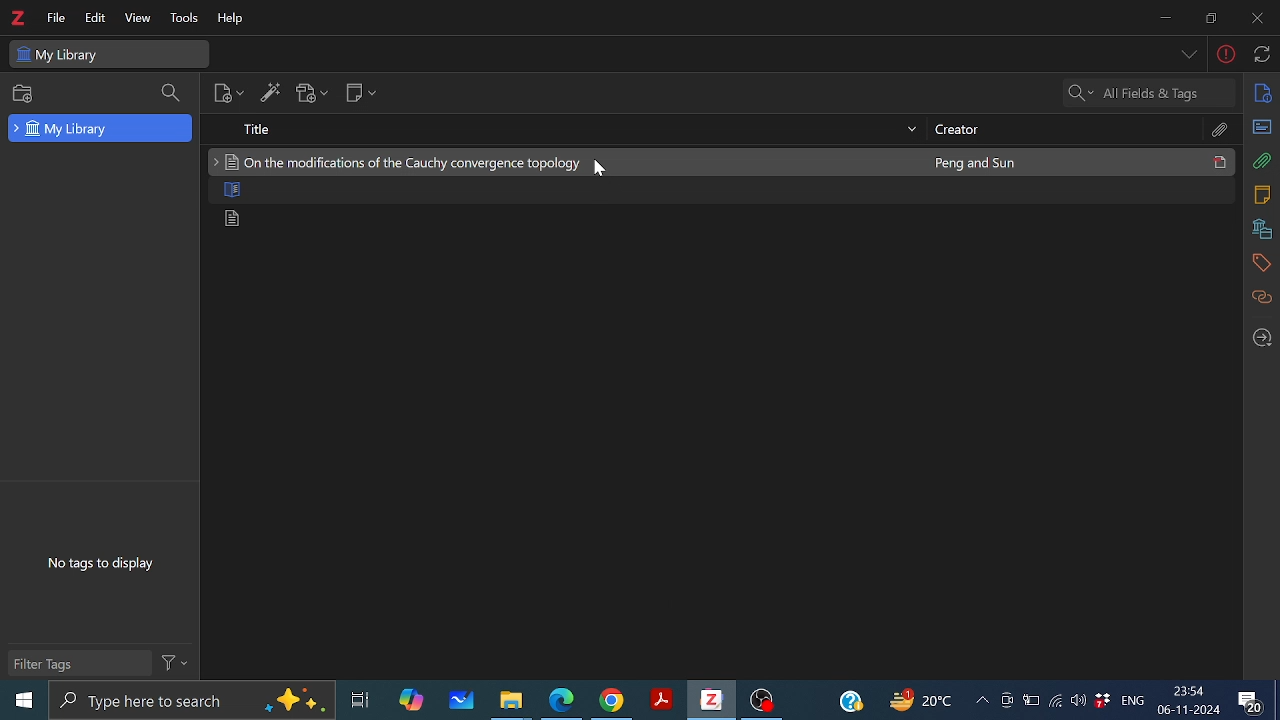 This screenshot has height=720, width=1280. I want to click on HElp, so click(233, 19).